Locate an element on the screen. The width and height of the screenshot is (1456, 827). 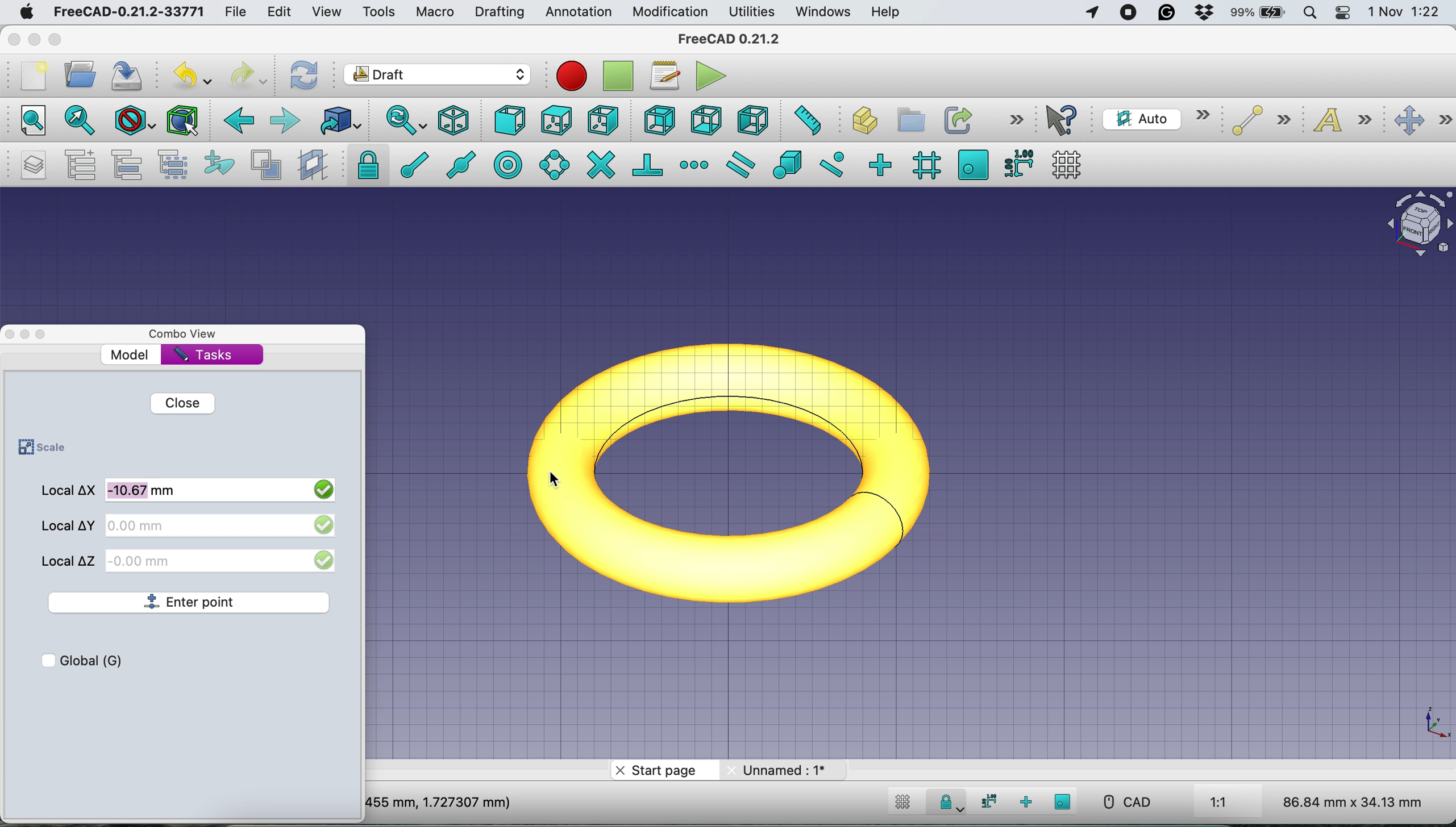
snap working plane is located at coordinates (1063, 801).